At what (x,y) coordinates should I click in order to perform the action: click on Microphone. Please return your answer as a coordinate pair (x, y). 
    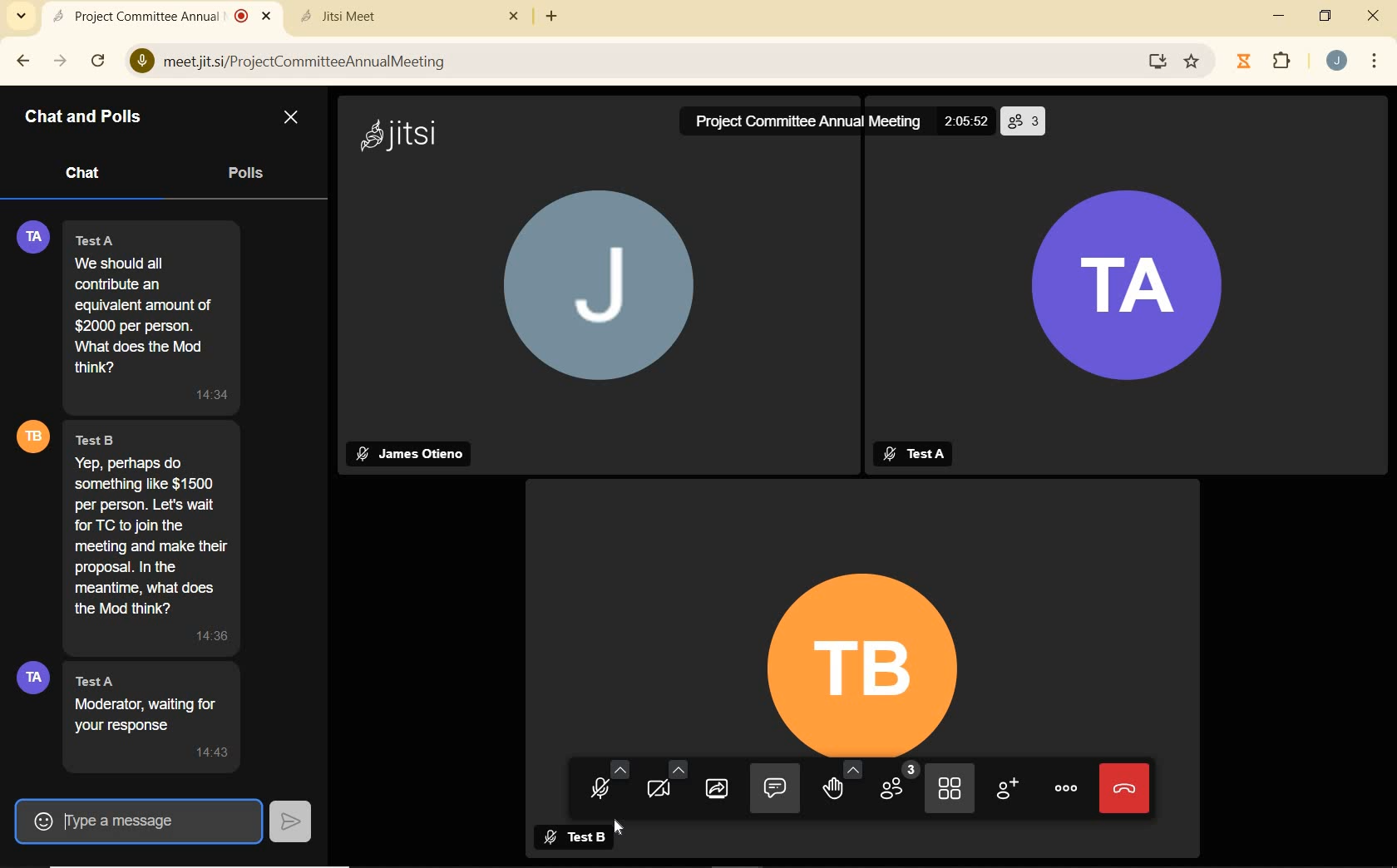
    Looking at the image, I should click on (139, 62).